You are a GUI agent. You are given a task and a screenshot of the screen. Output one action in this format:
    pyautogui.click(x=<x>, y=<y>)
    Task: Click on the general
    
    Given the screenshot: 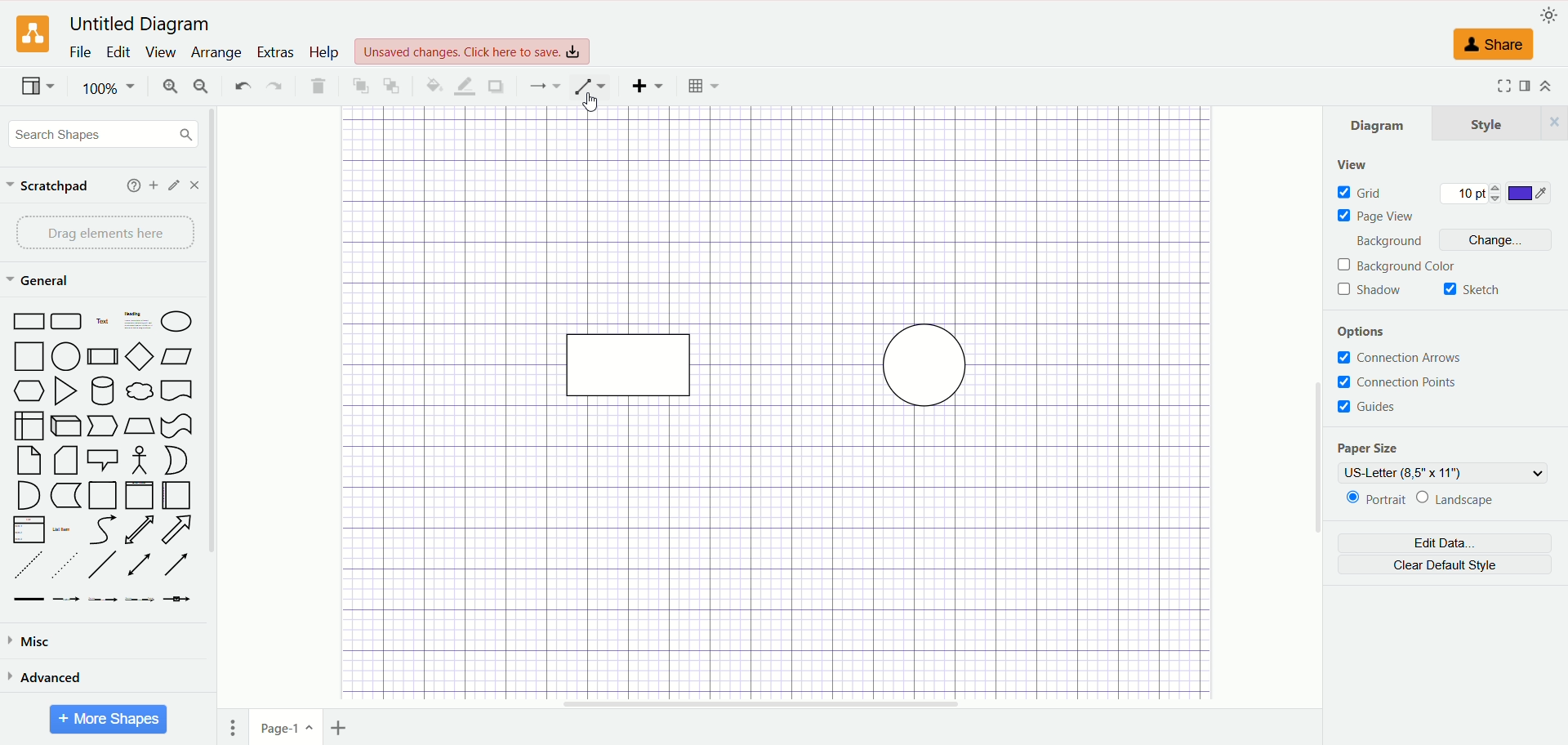 What is the action you would take?
    pyautogui.click(x=38, y=280)
    